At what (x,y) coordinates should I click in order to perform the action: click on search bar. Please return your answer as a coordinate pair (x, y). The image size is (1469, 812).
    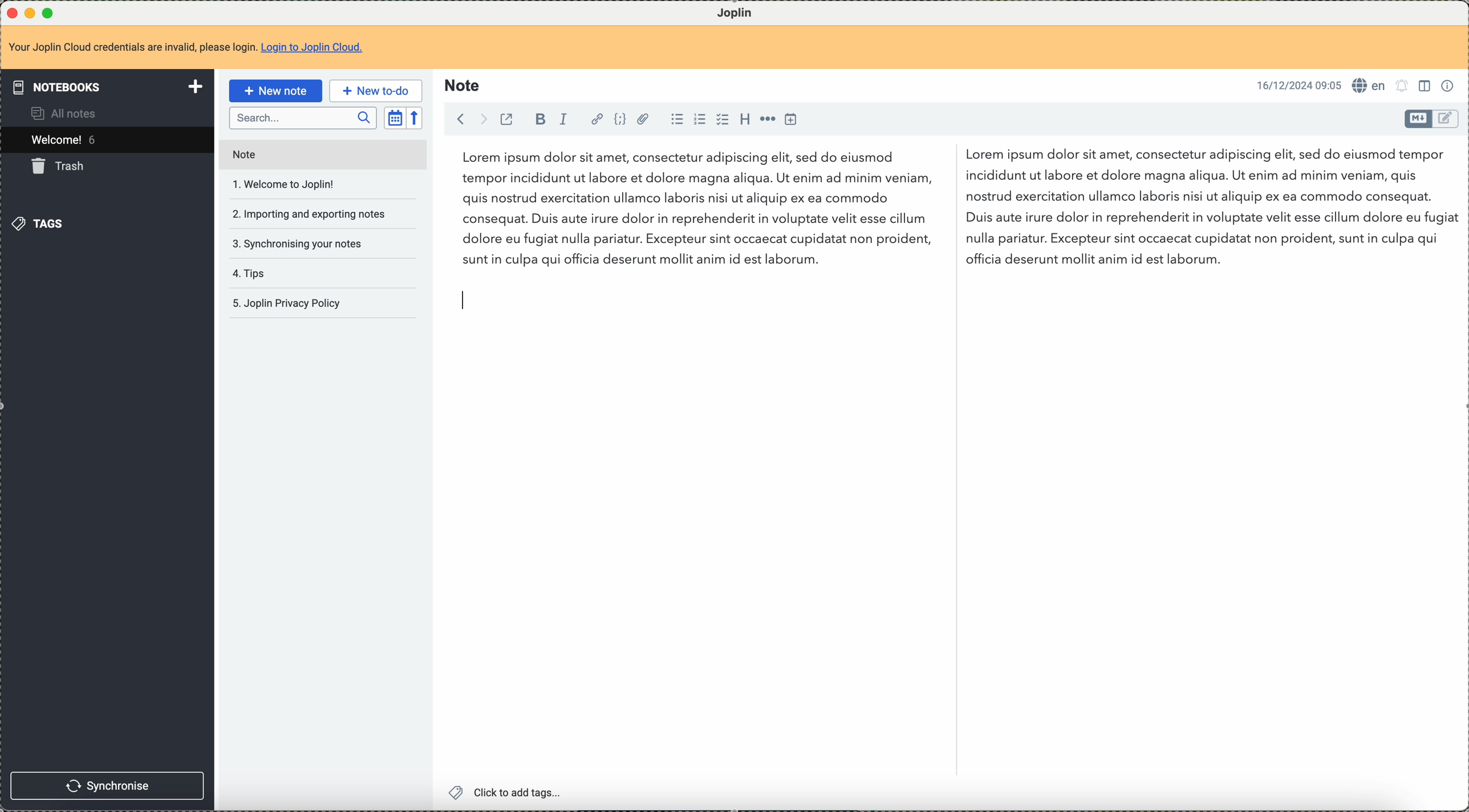
    Looking at the image, I should click on (302, 118).